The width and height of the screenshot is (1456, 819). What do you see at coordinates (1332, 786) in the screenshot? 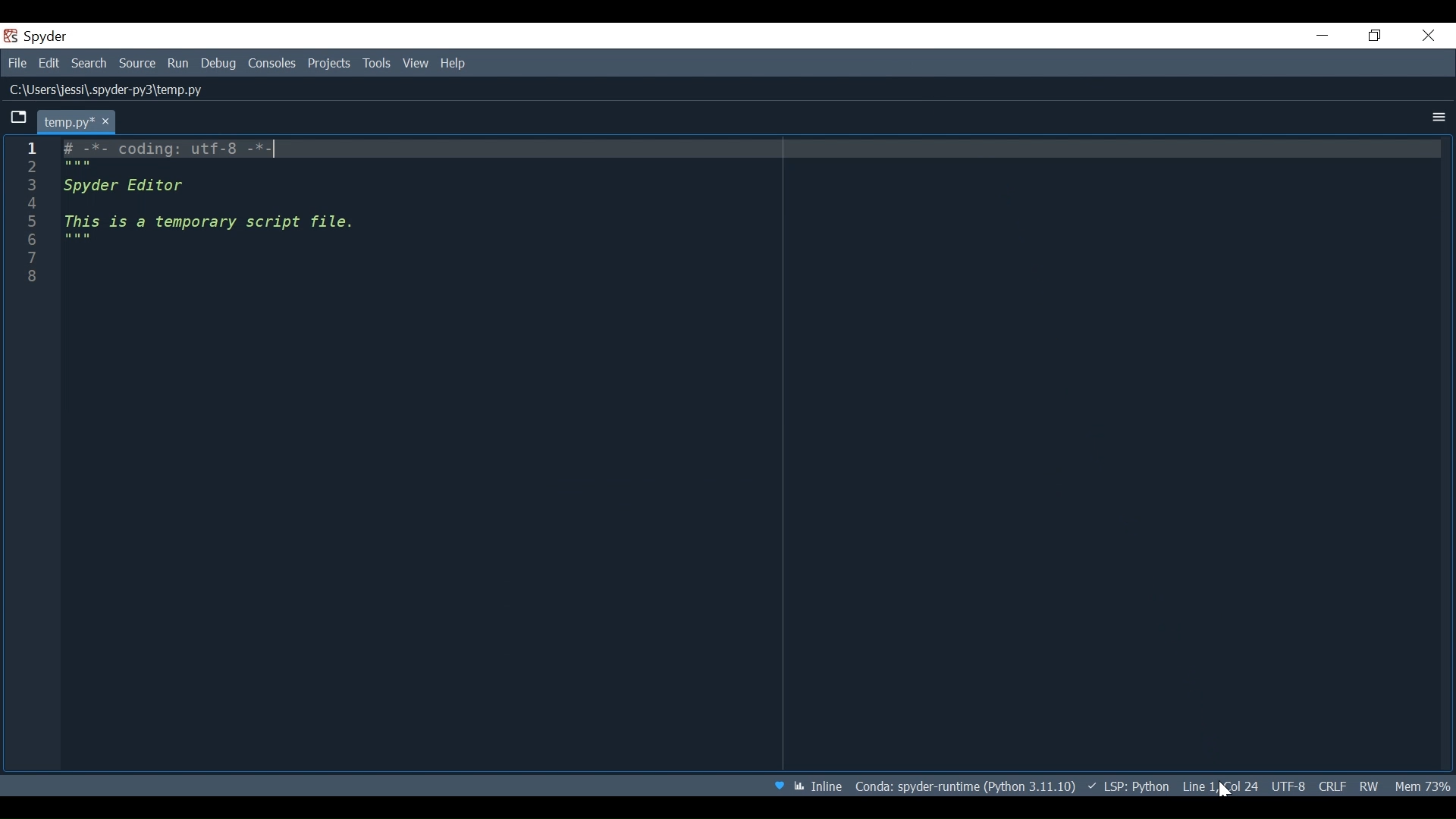
I see `File EQL Status` at bounding box center [1332, 786].